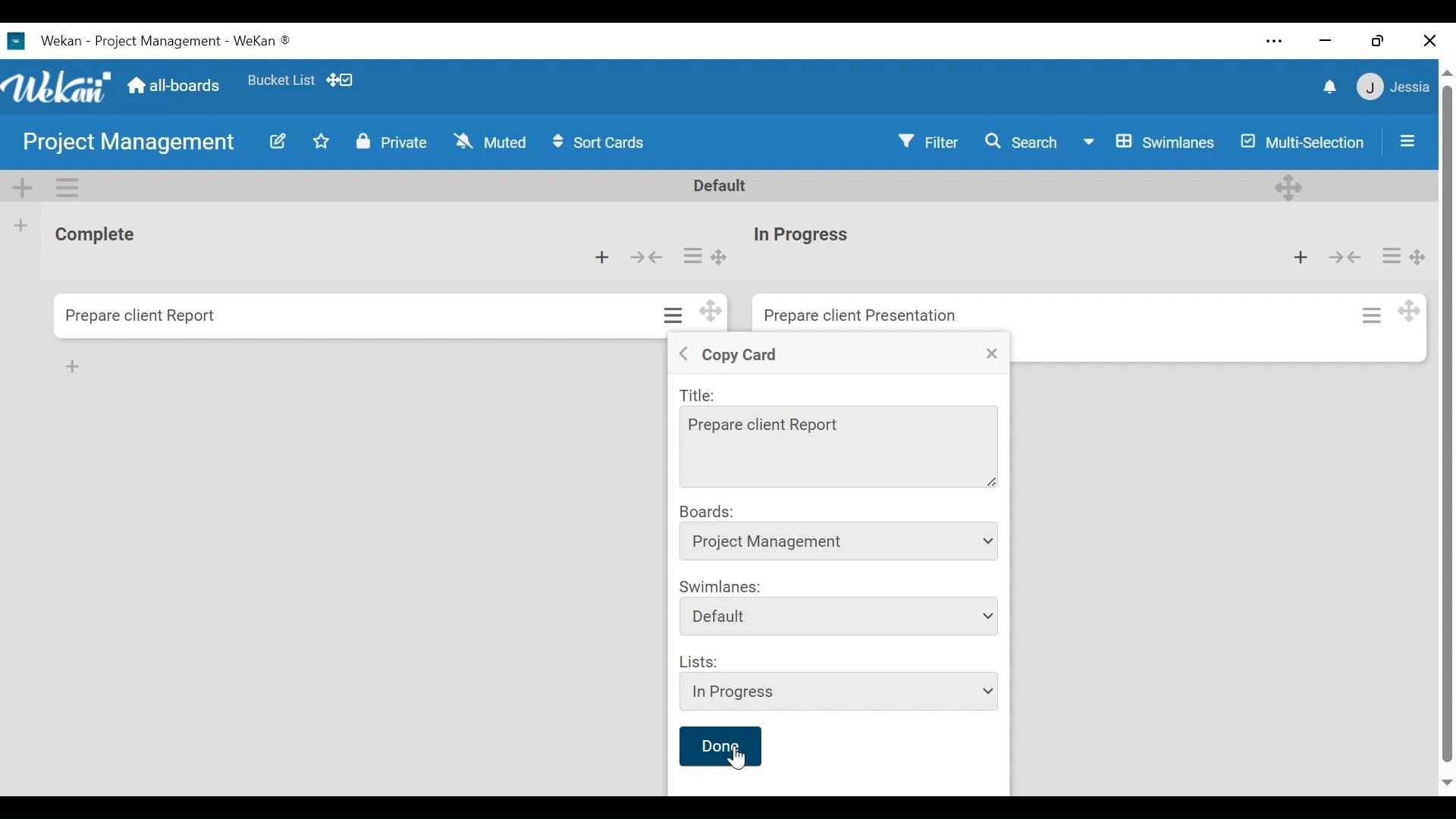 The width and height of the screenshot is (1456, 819). I want to click on Settings and more, so click(1275, 42).